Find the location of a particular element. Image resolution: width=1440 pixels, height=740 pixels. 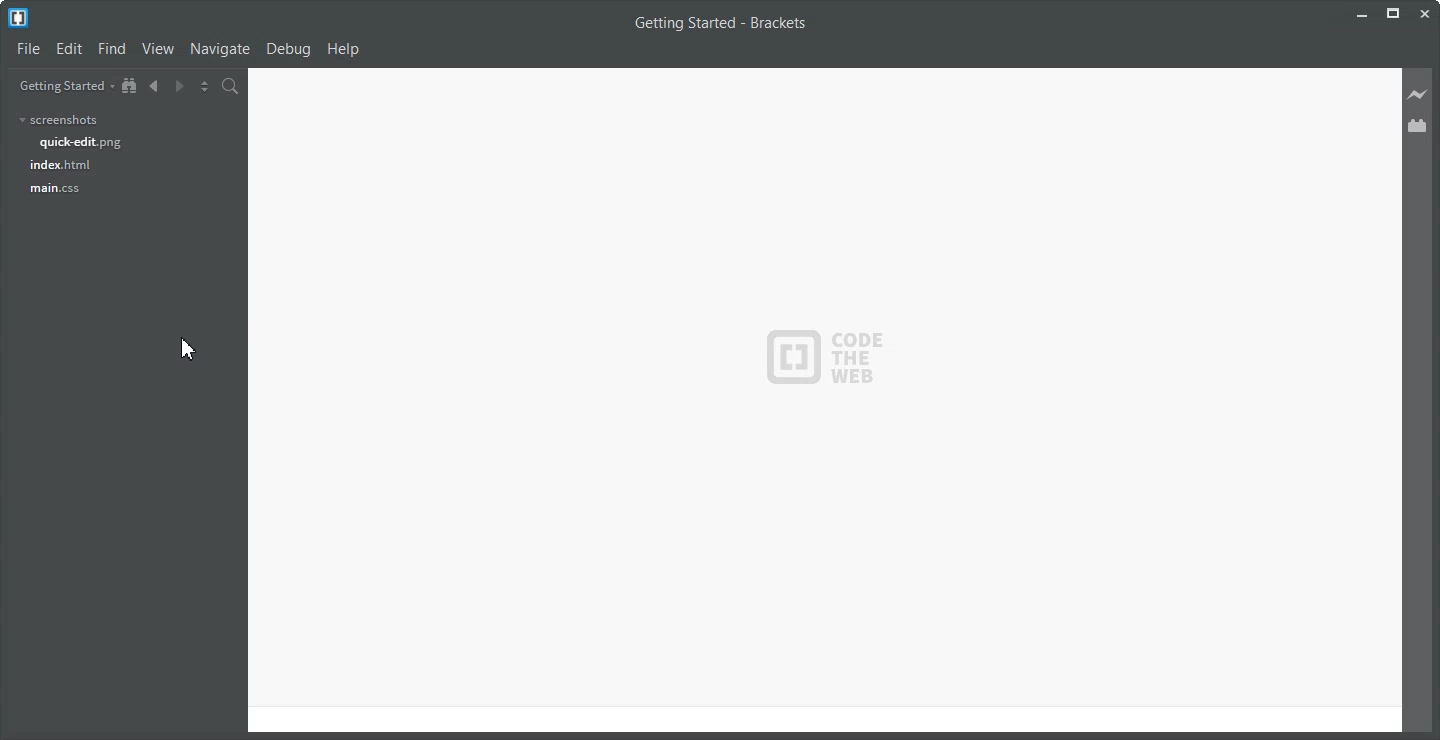

Navigate Backward is located at coordinates (155, 85).